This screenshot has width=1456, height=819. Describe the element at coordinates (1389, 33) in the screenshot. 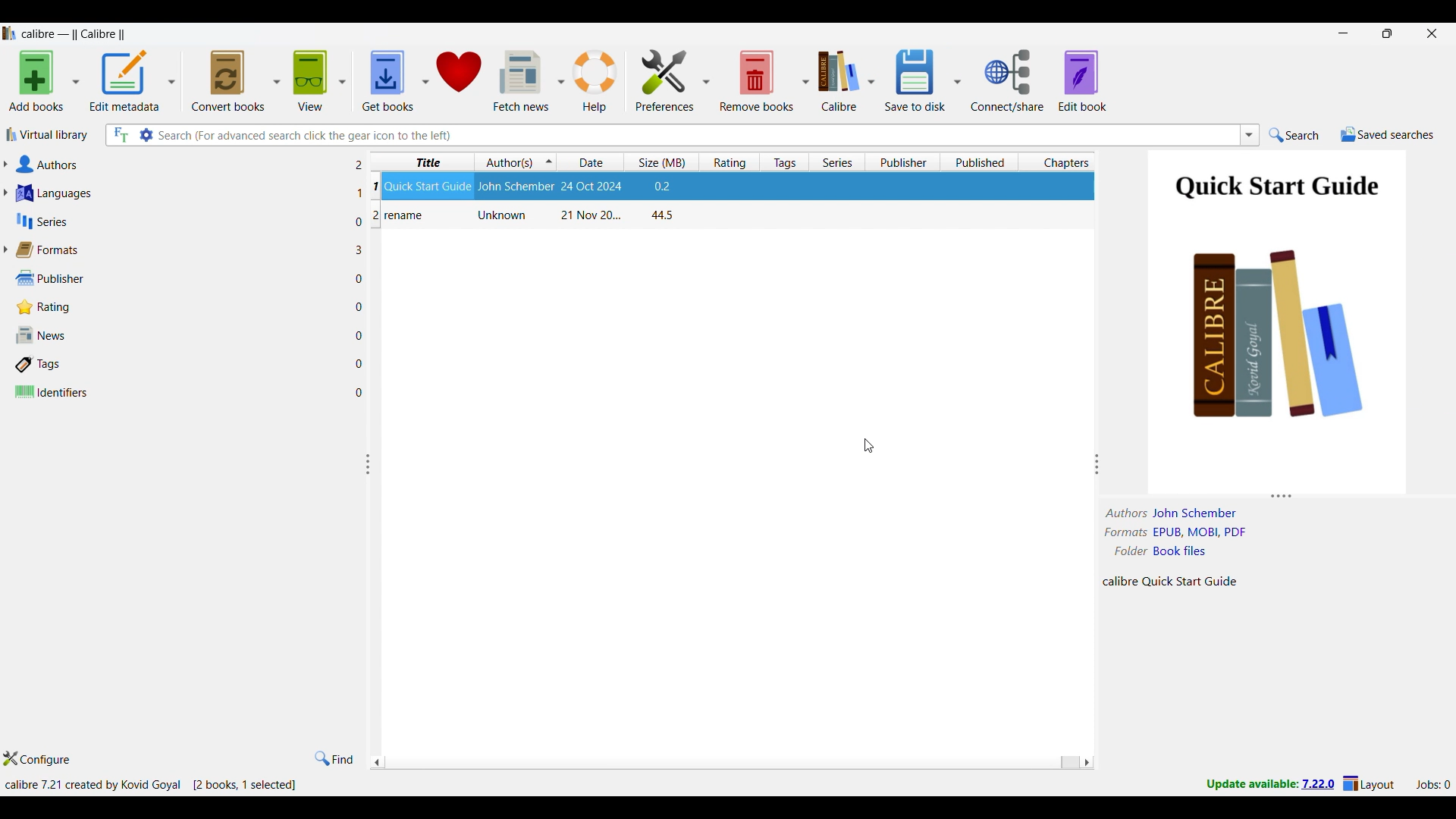

I see `Show interface in a smaller tab` at that location.